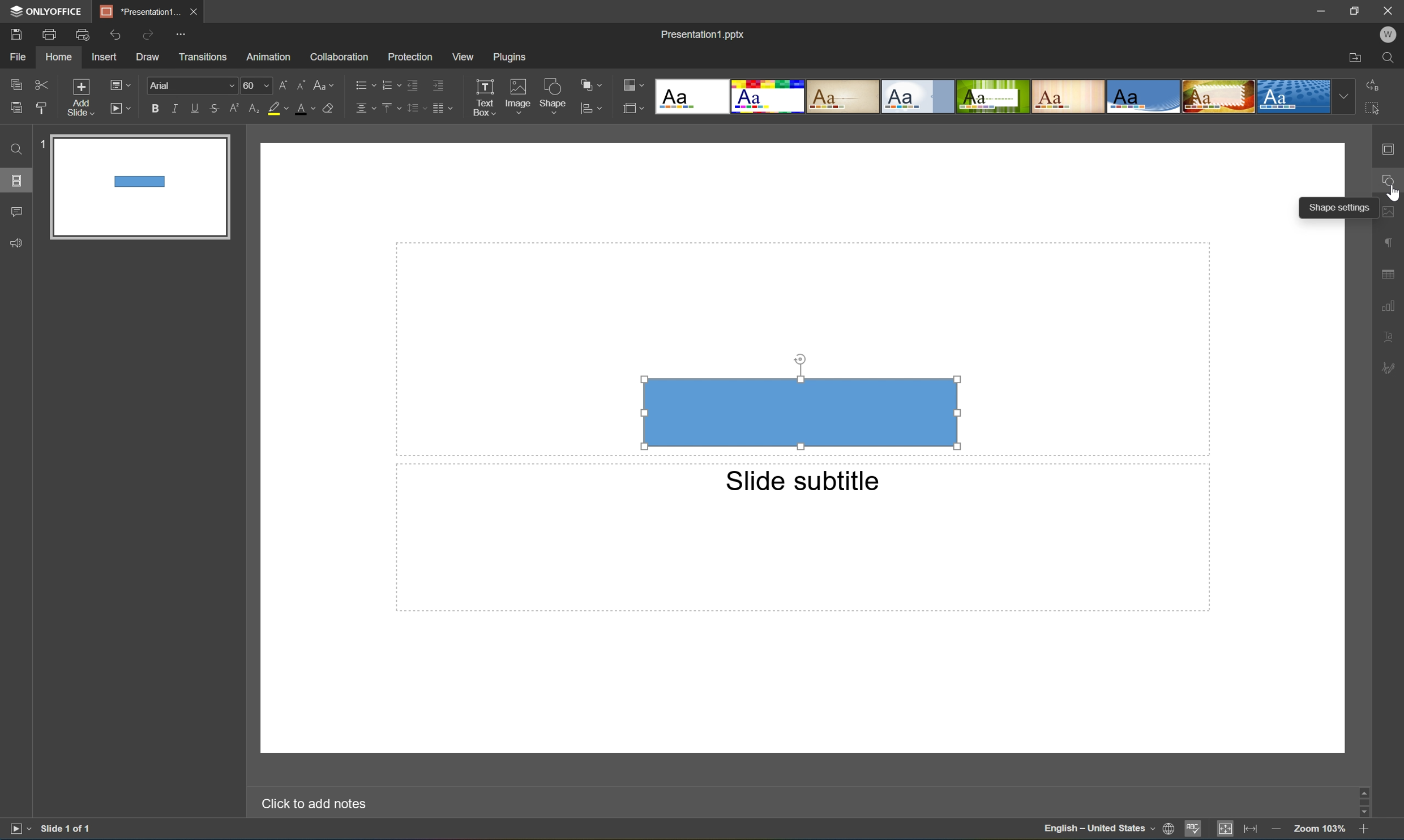 Image resolution: width=1404 pixels, height=840 pixels. What do you see at coordinates (255, 85) in the screenshot?
I see `60` at bounding box center [255, 85].